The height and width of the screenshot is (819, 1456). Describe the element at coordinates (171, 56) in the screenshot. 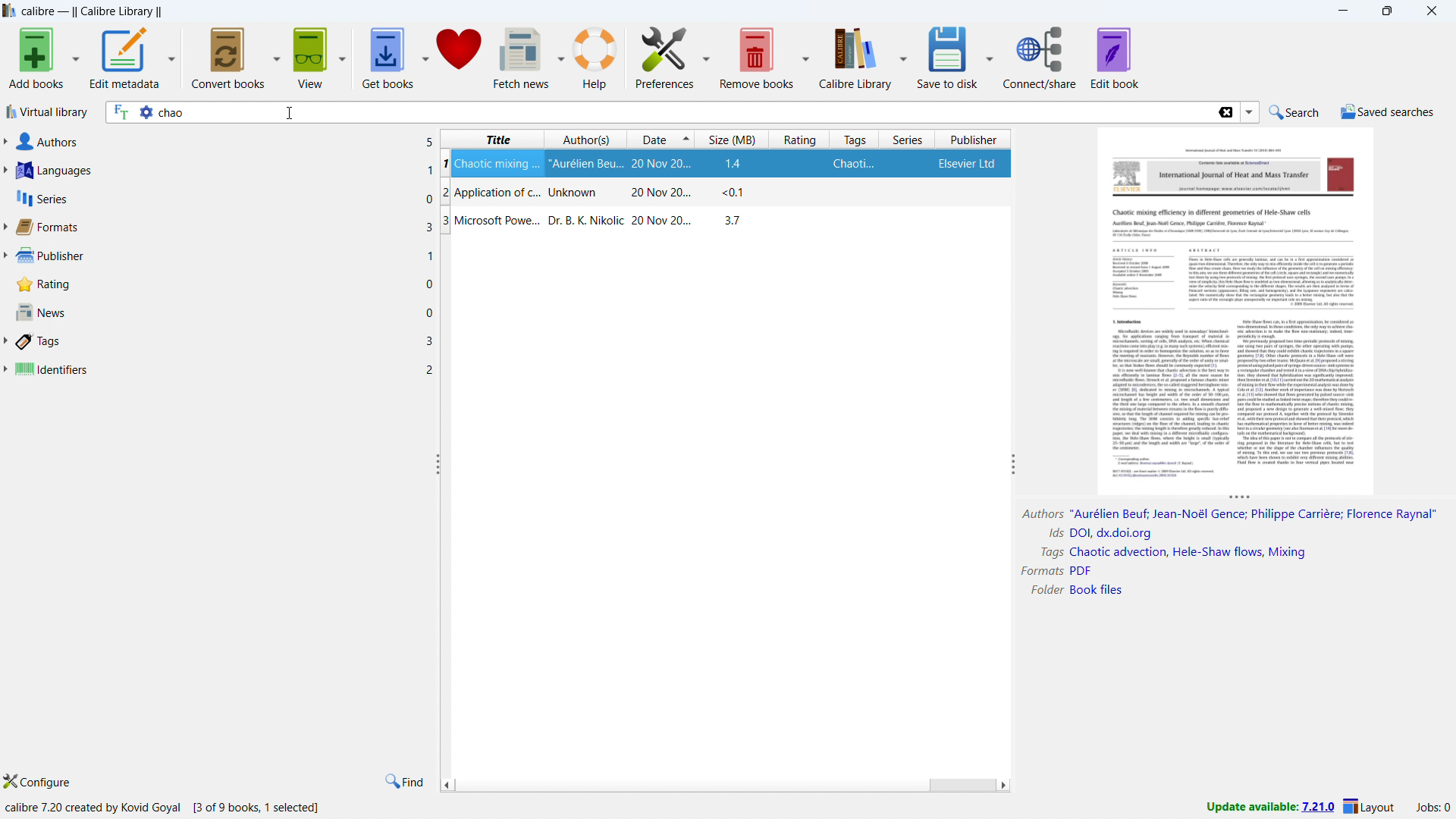

I see `edit metadata options` at that location.